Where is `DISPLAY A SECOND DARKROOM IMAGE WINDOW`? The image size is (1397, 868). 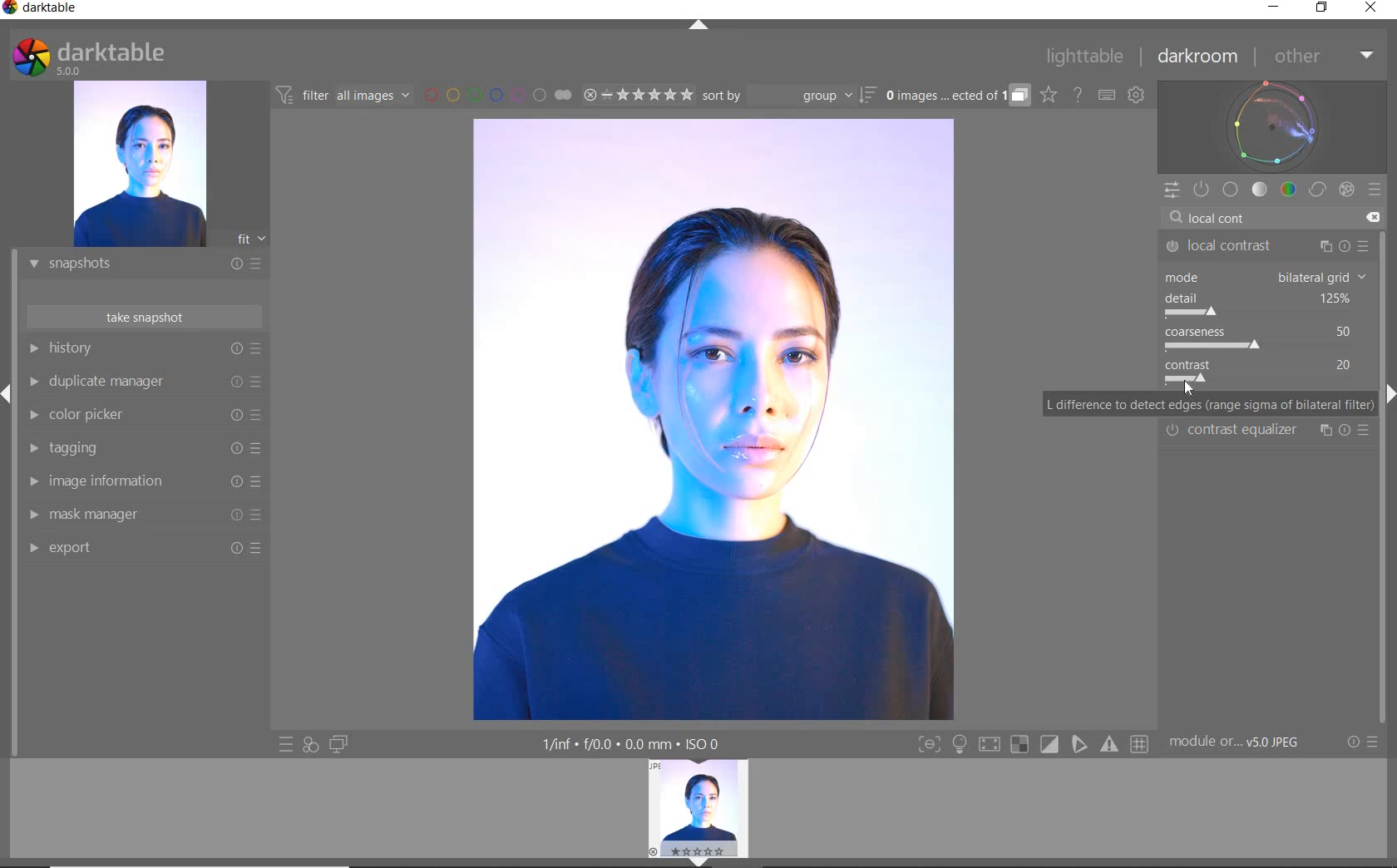 DISPLAY A SECOND DARKROOM IMAGE WINDOW is located at coordinates (338, 744).